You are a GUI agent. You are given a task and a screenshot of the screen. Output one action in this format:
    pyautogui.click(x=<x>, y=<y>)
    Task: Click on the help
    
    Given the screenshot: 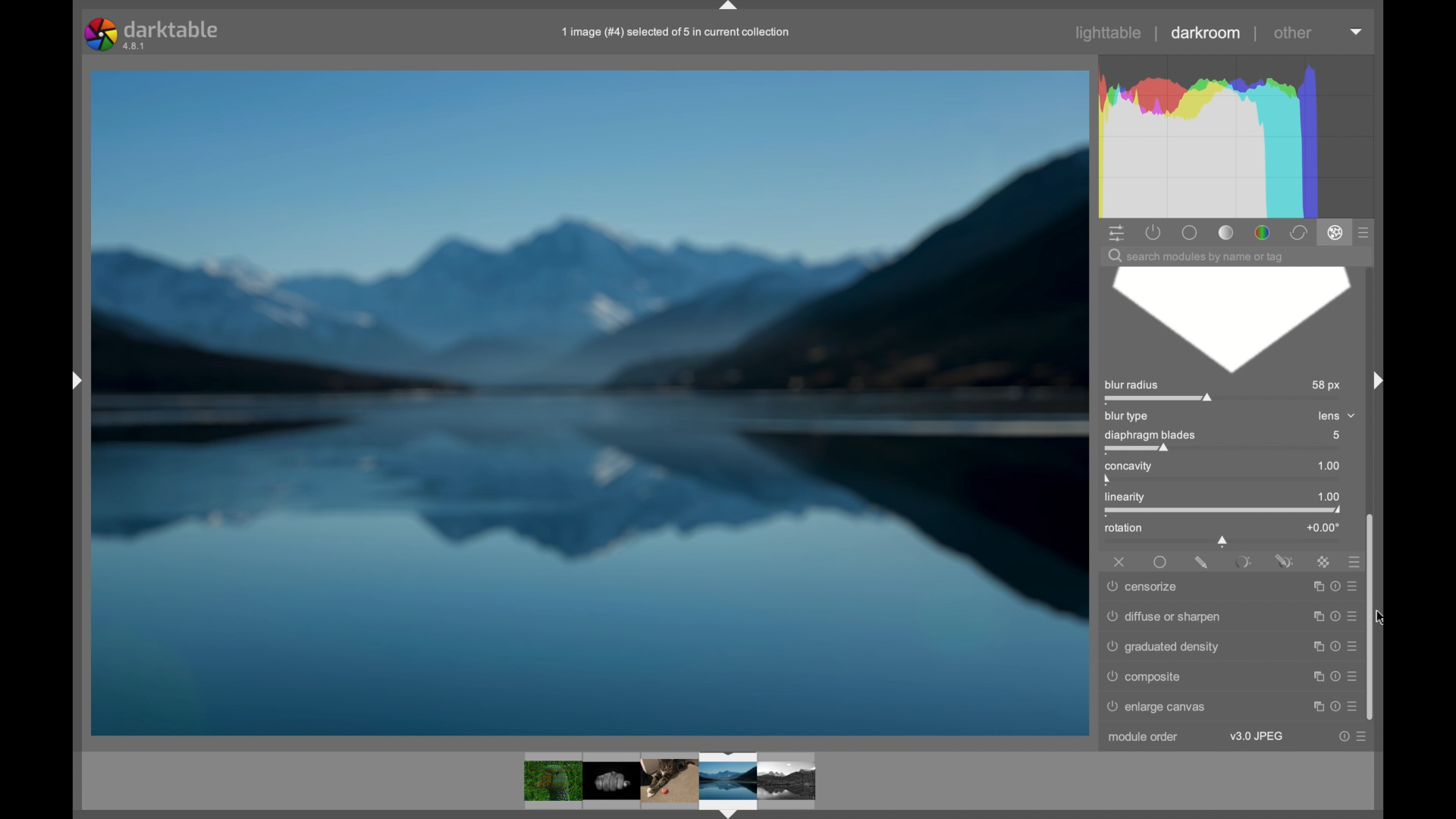 What is the action you would take?
    pyautogui.click(x=1333, y=673)
    